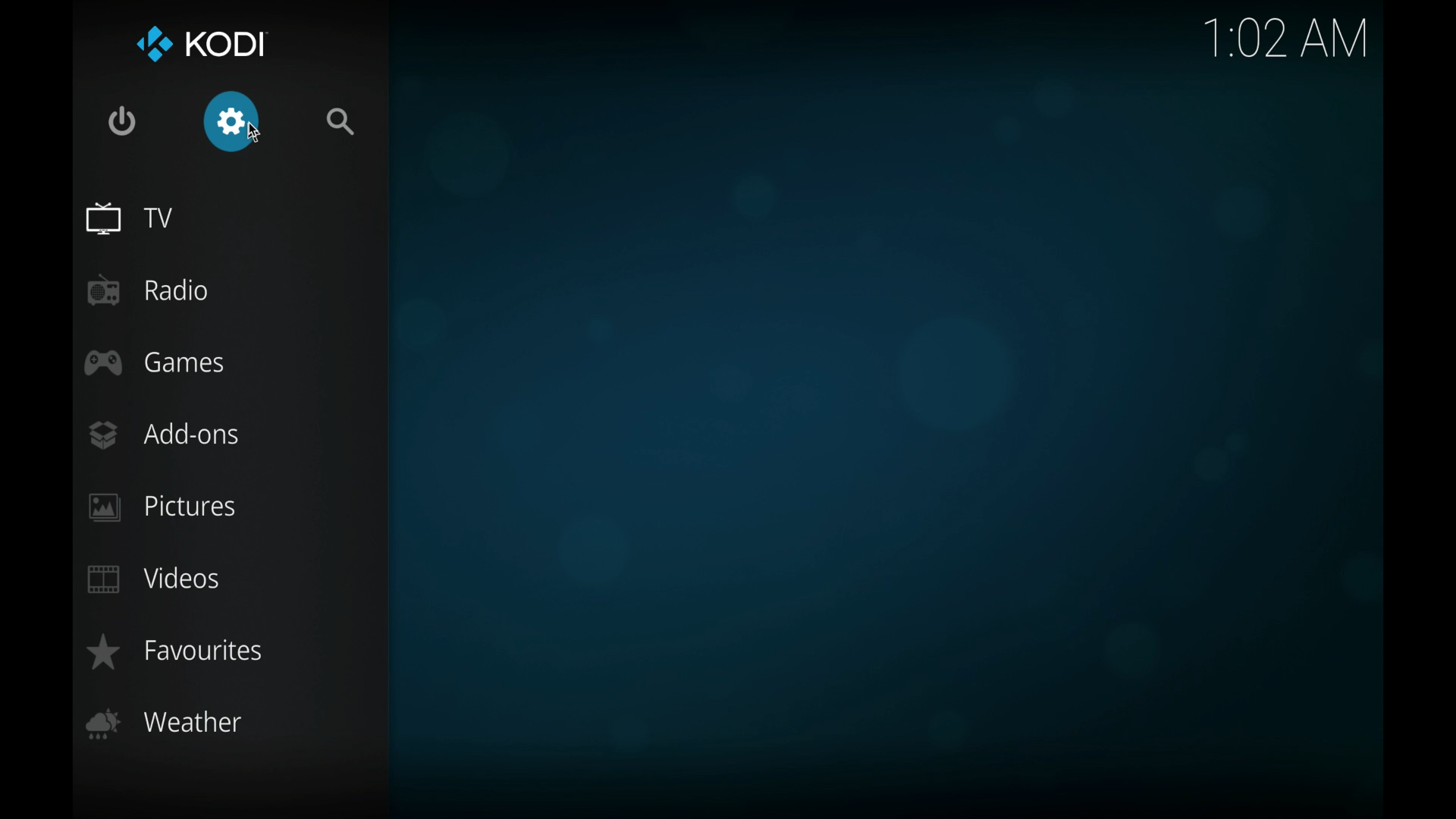  Describe the element at coordinates (154, 362) in the screenshot. I see `games` at that location.